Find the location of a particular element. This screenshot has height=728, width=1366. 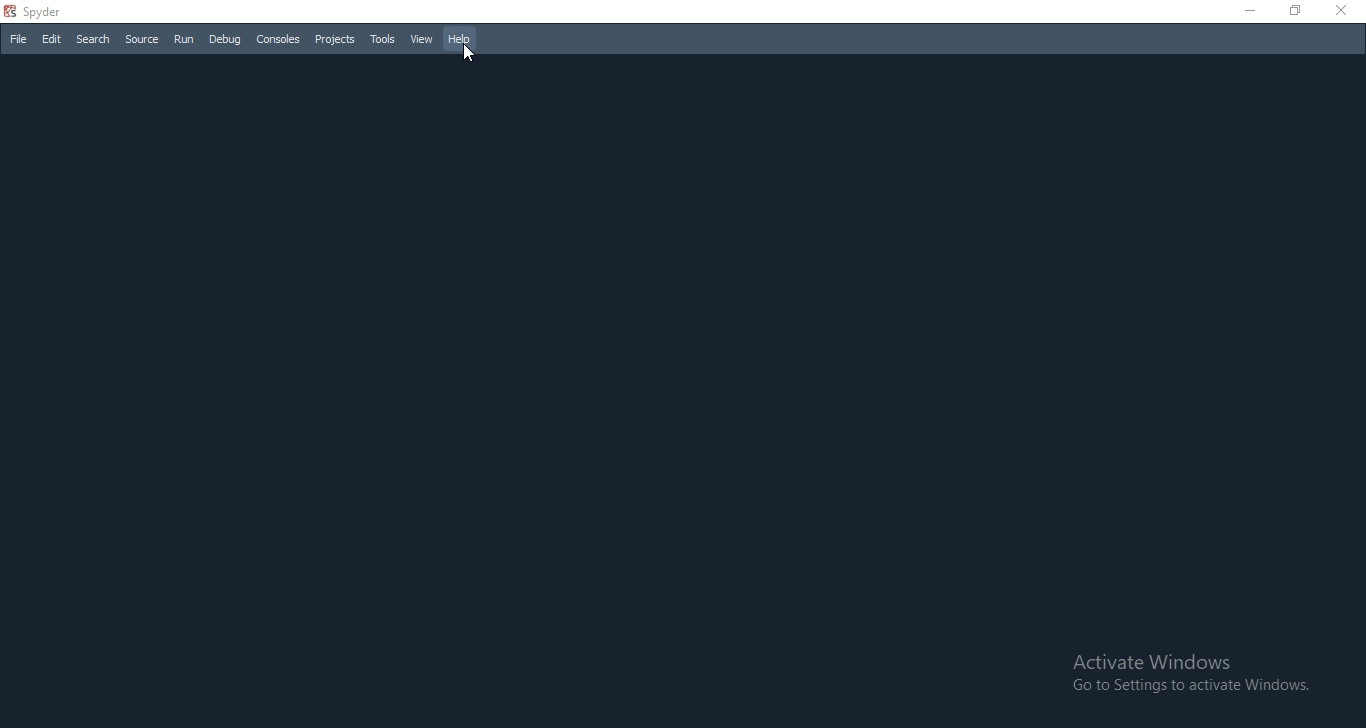

Consoles is located at coordinates (279, 39).